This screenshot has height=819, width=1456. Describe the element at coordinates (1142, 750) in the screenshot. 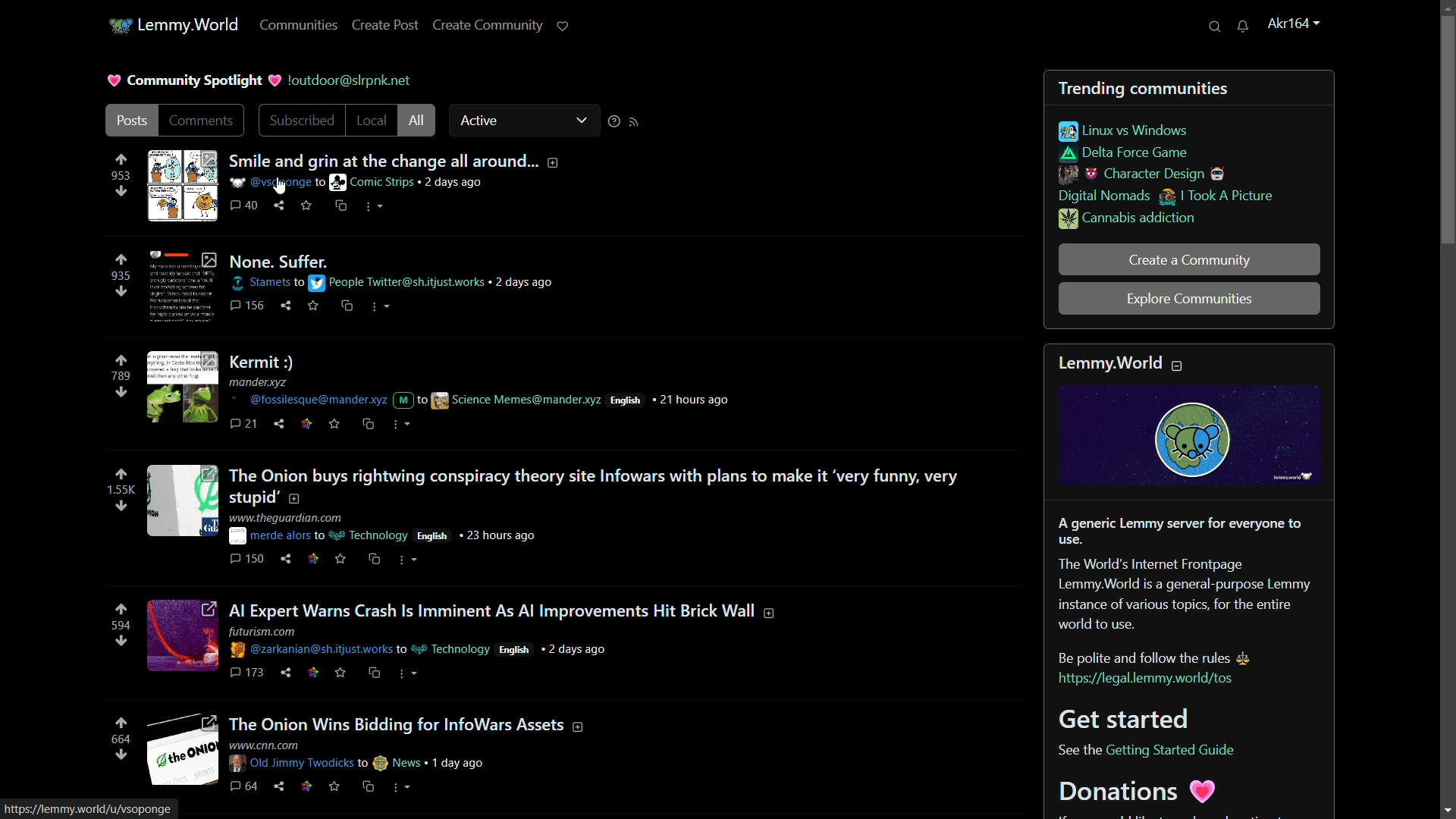

I see `text` at that location.